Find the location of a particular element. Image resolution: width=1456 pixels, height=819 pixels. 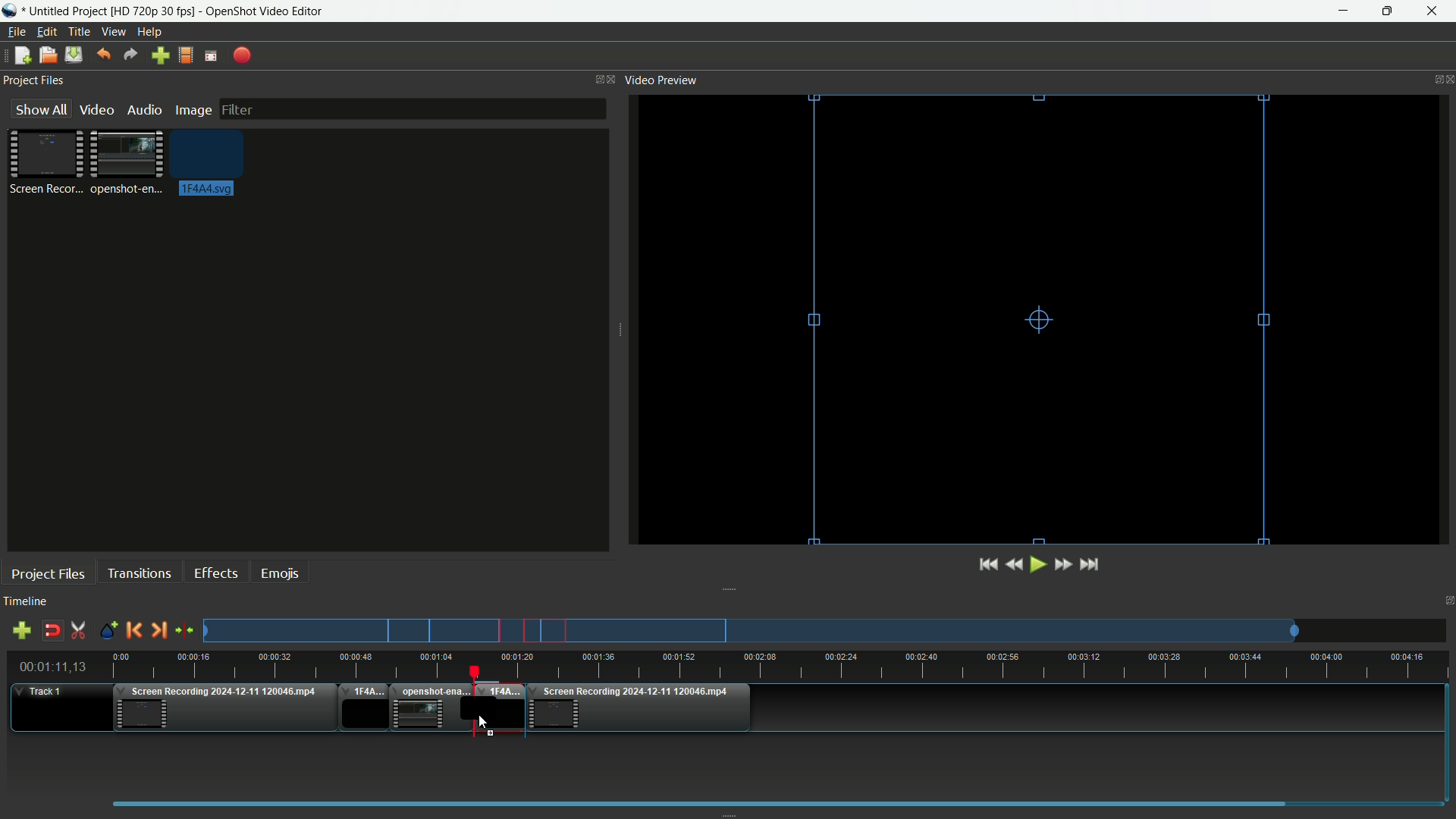

Effects is located at coordinates (215, 573).